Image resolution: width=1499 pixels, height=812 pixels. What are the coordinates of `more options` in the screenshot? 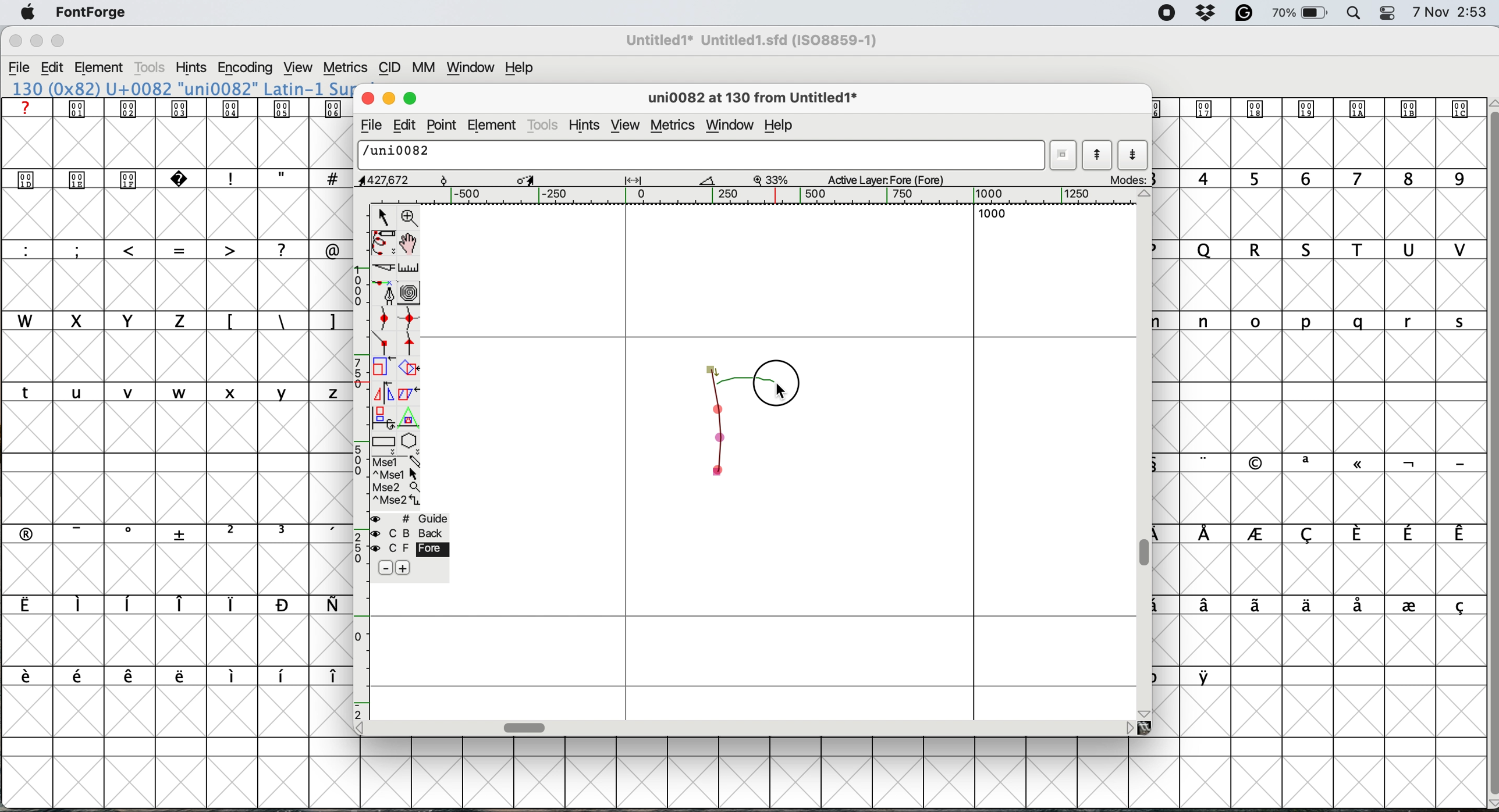 It's located at (395, 482).